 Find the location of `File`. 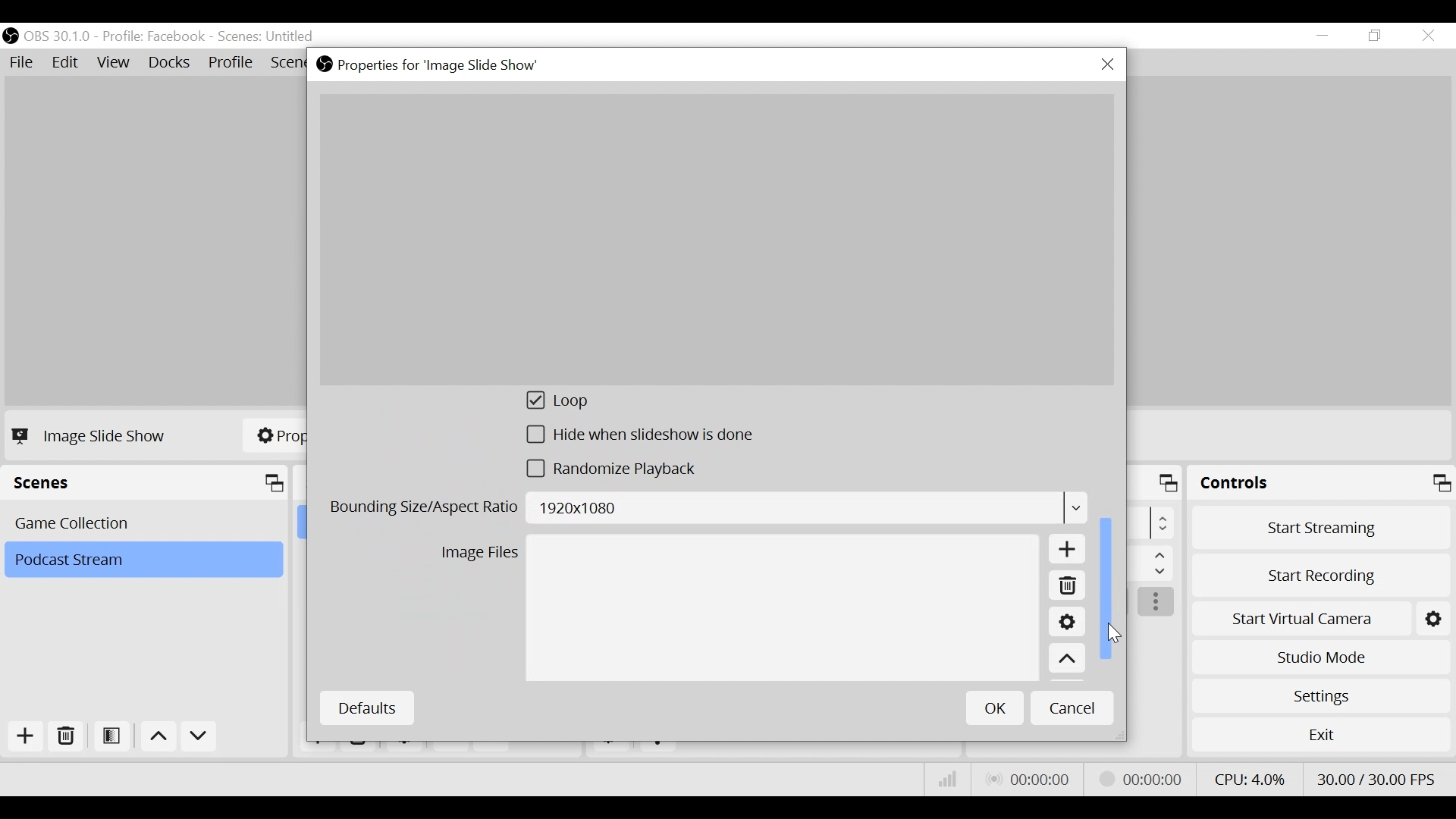

File is located at coordinates (24, 63).